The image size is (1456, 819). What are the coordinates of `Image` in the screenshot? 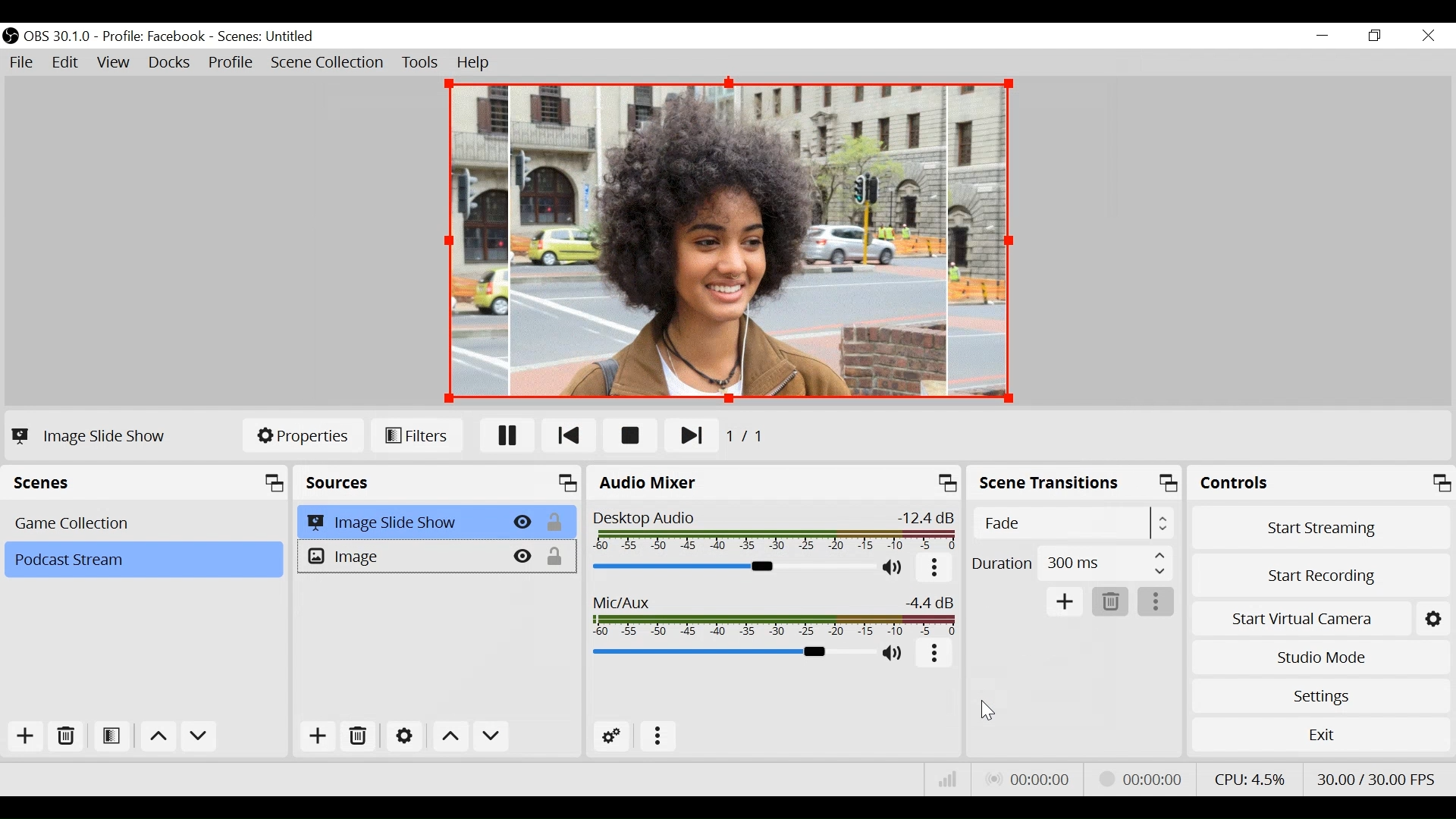 It's located at (401, 557).